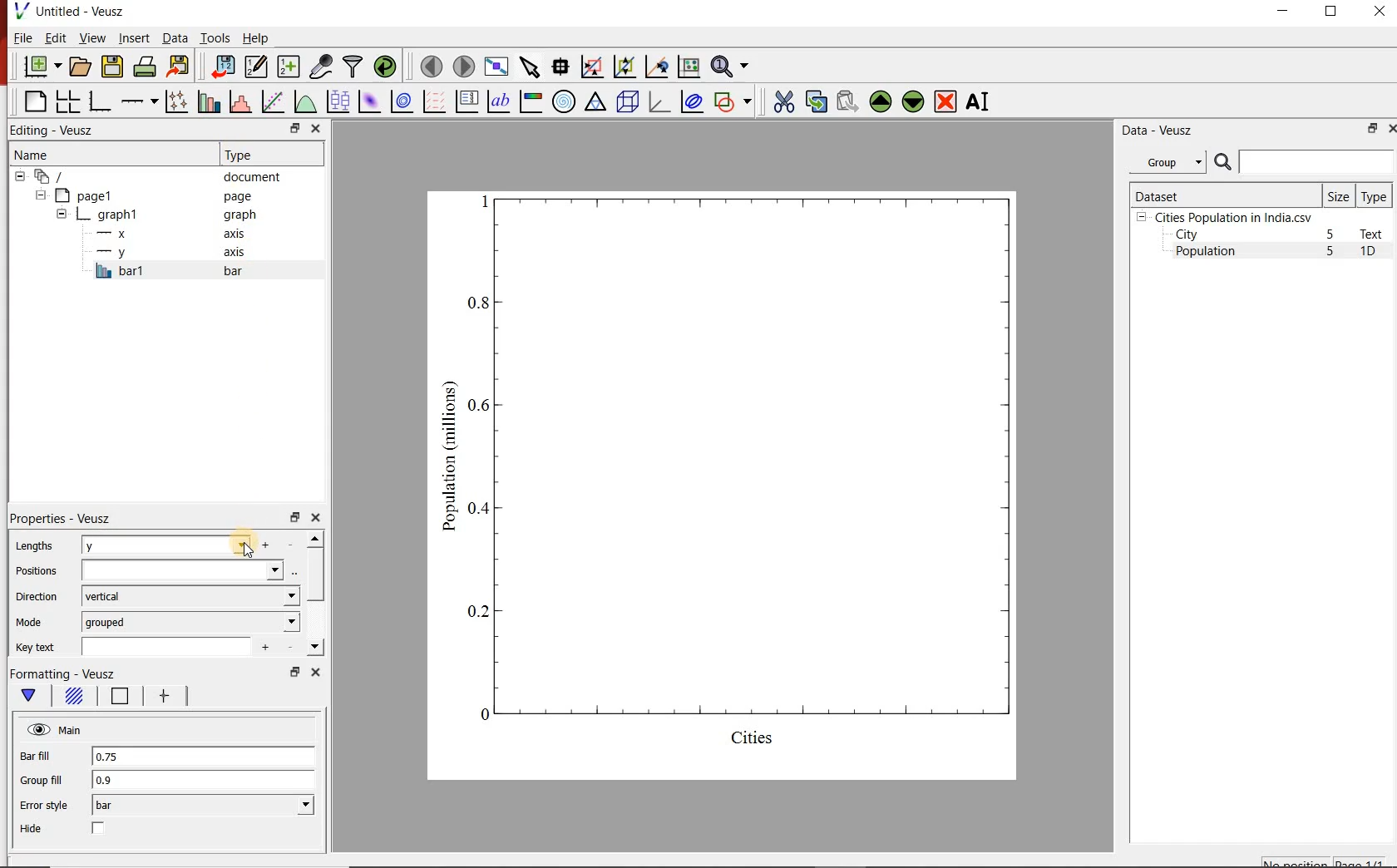  What do you see at coordinates (304, 101) in the screenshot?
I see `plot a function` at bounding box center [304, 101].